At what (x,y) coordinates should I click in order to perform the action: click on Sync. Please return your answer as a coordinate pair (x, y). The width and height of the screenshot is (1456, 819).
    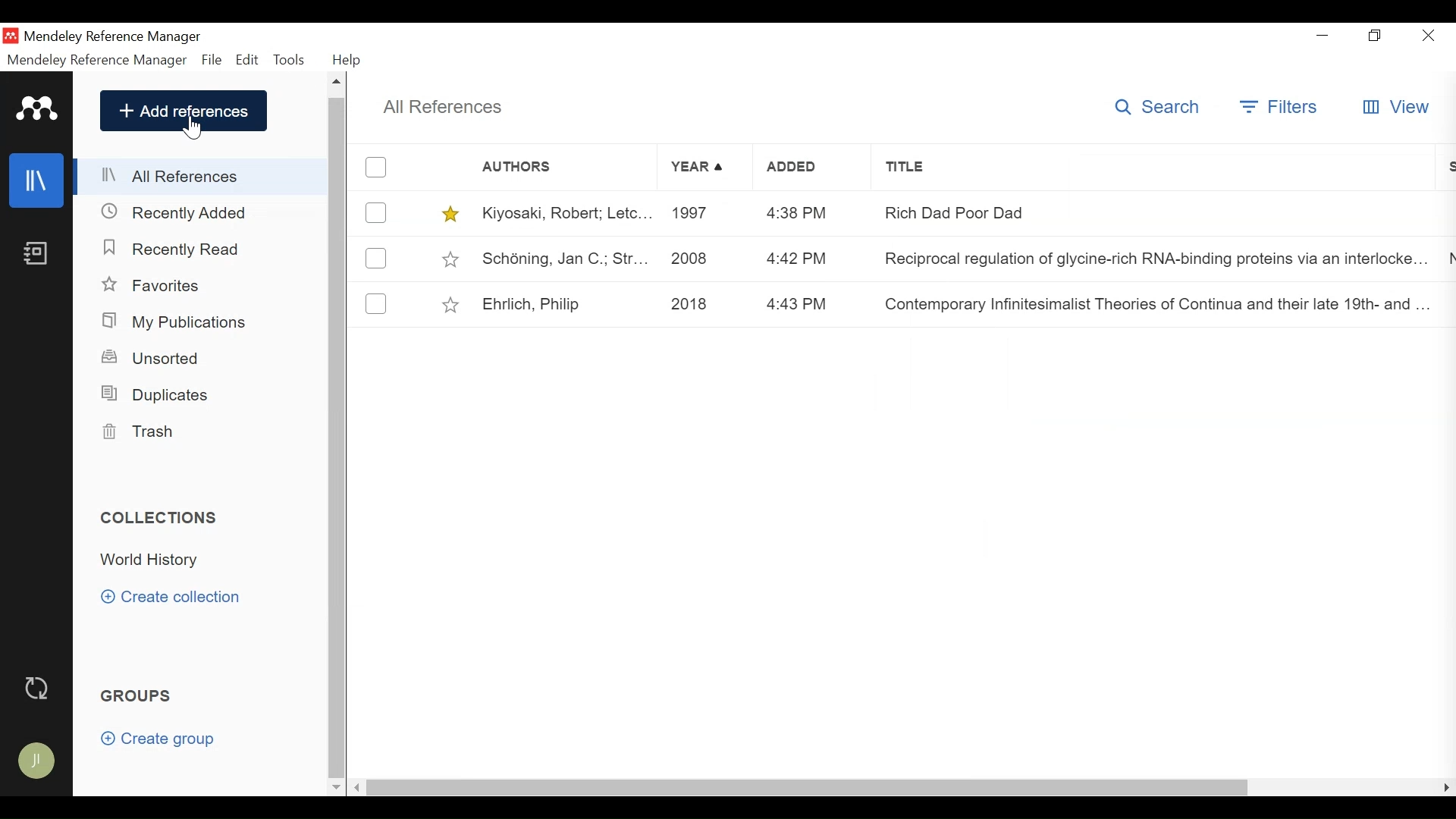
    Looking at the image, I should click on (39, 687).